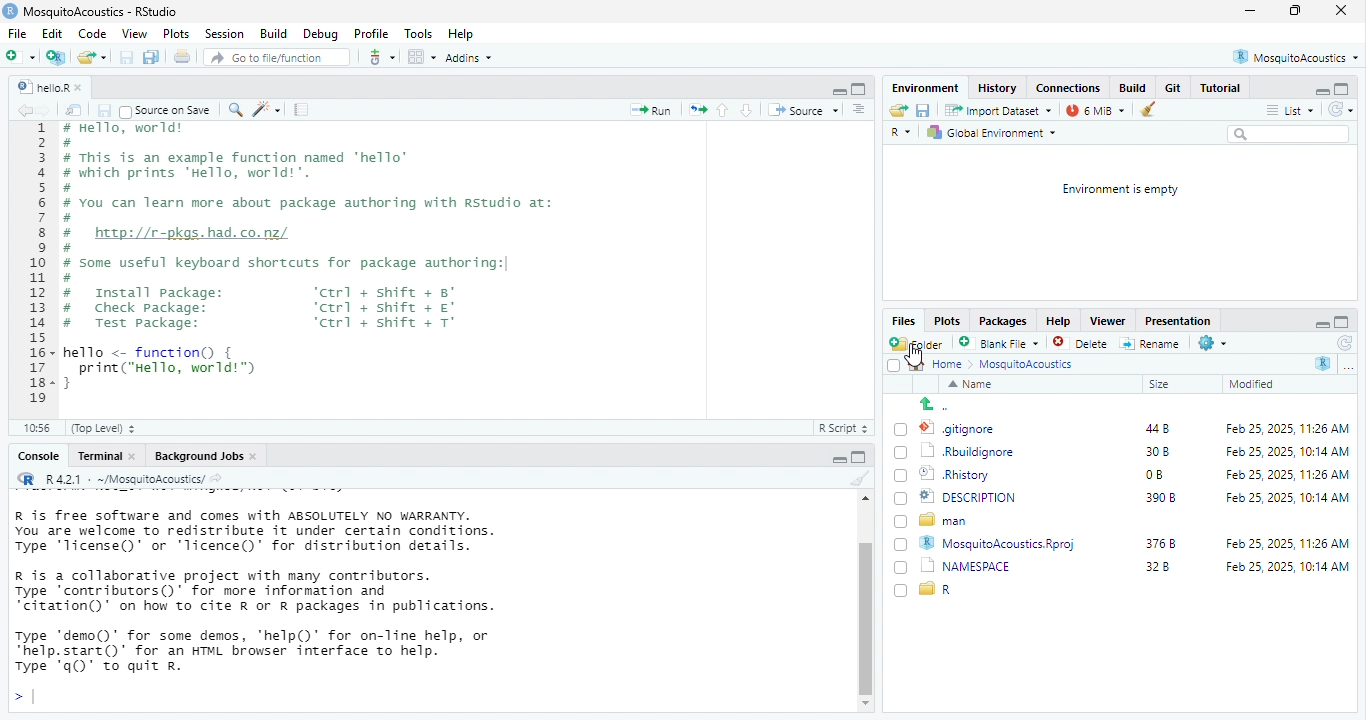  Describe the element at coordinates (1153, 346) in the screenshot. I see `rename` at that location.